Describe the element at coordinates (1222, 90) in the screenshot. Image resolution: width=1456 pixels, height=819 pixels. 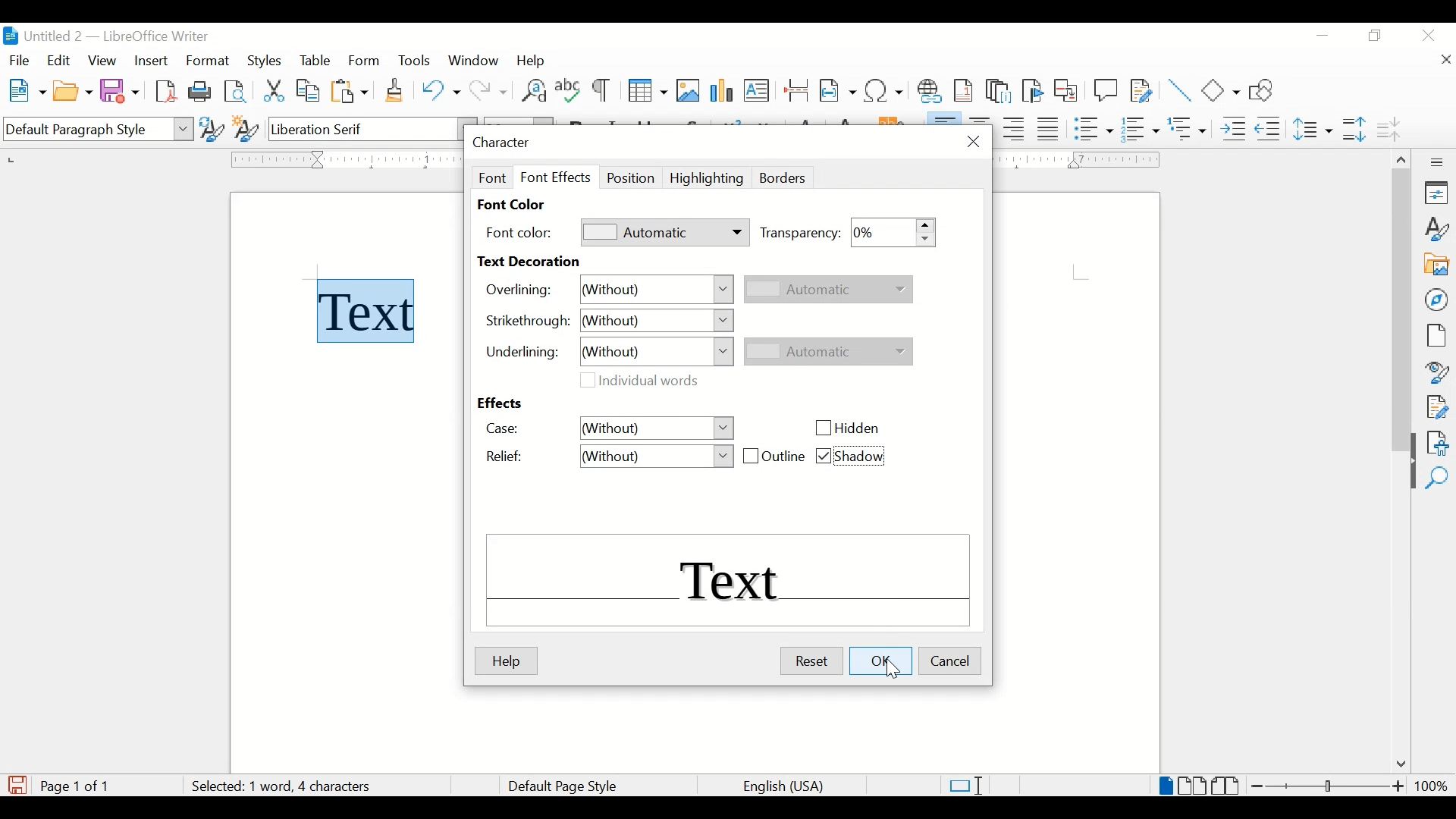
I see `basic shapes` at that location.